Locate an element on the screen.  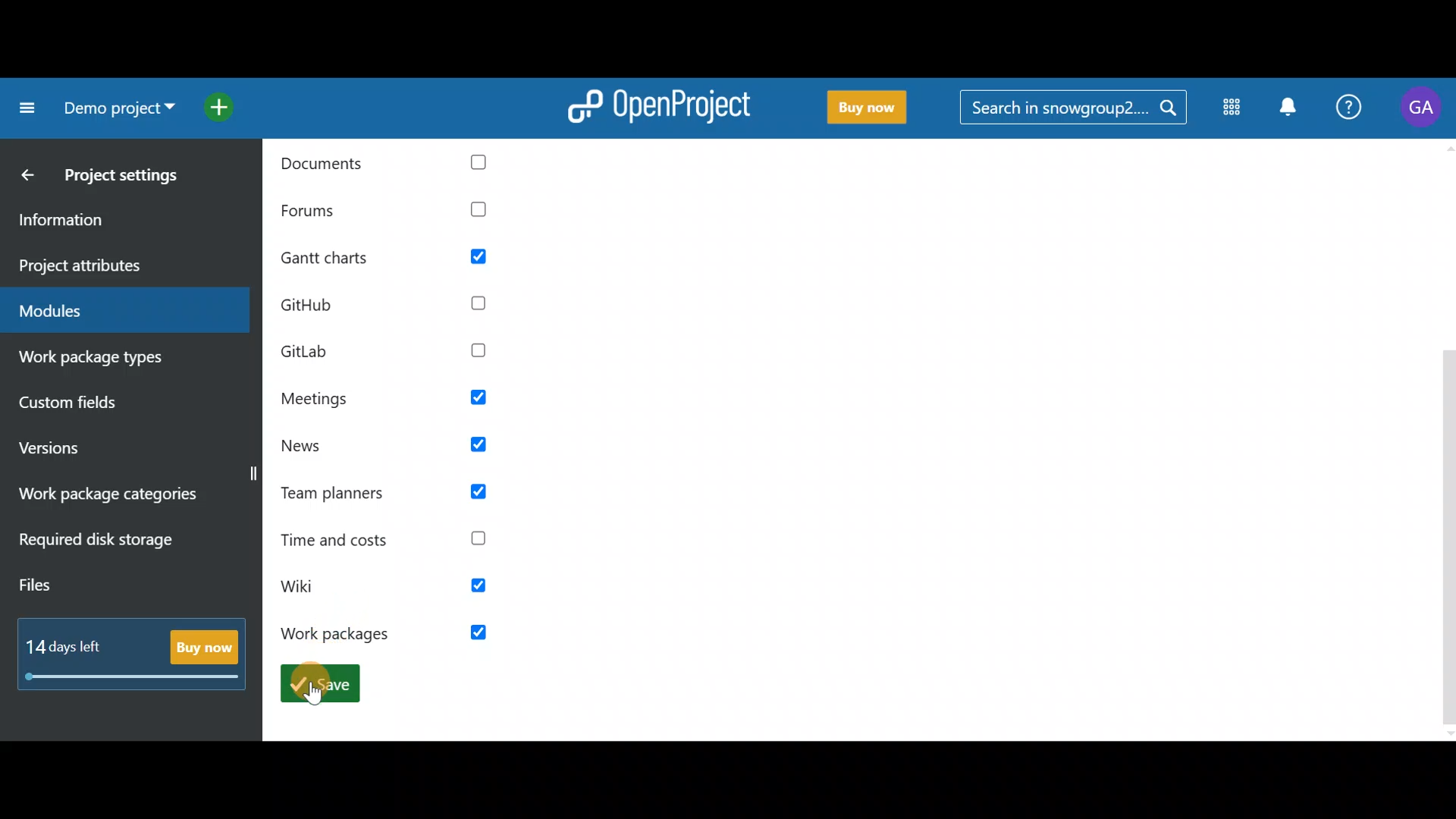
Buy now is located at coordinates (870, 110).